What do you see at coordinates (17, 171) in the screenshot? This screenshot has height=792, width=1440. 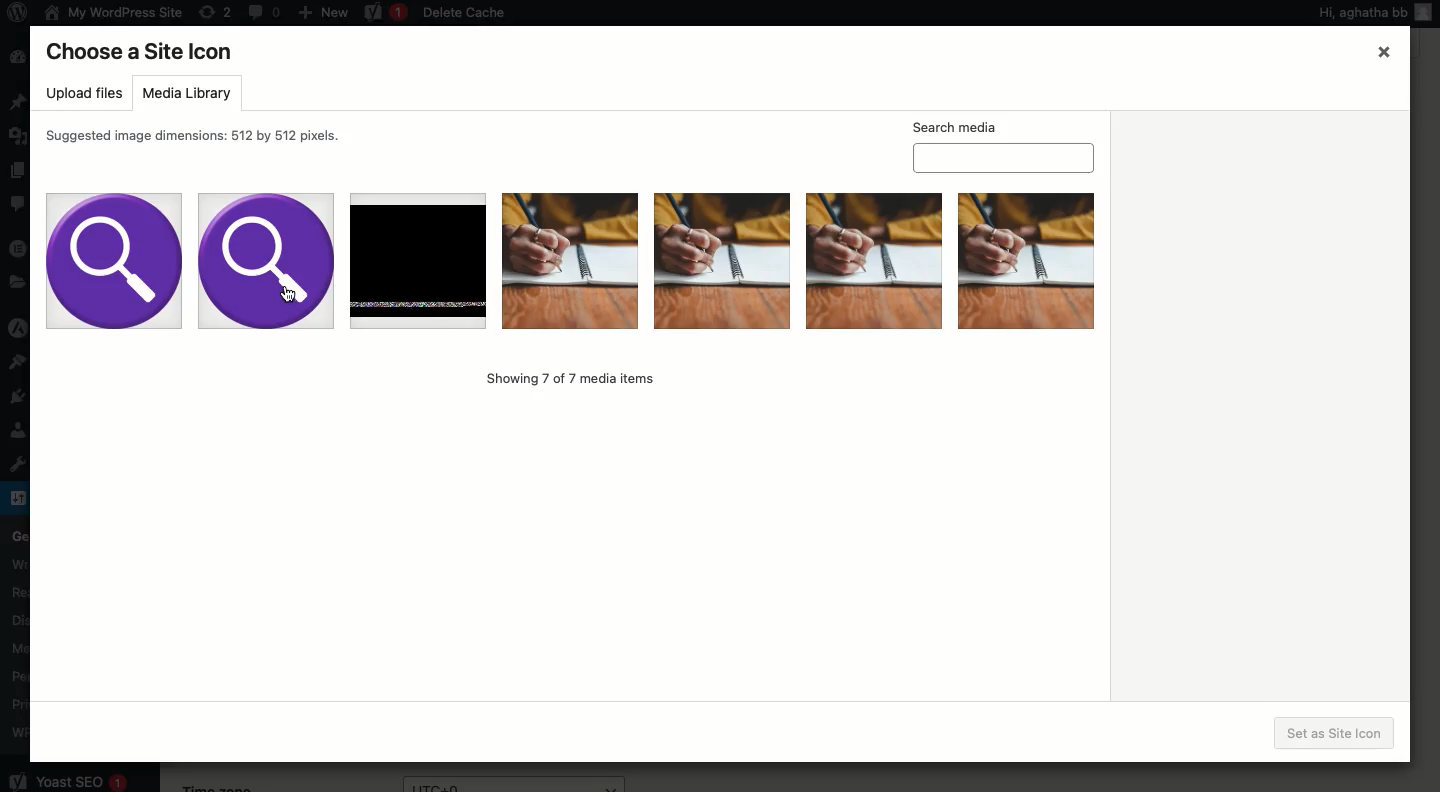 I see `Pages` at bounding box center [17, 171].